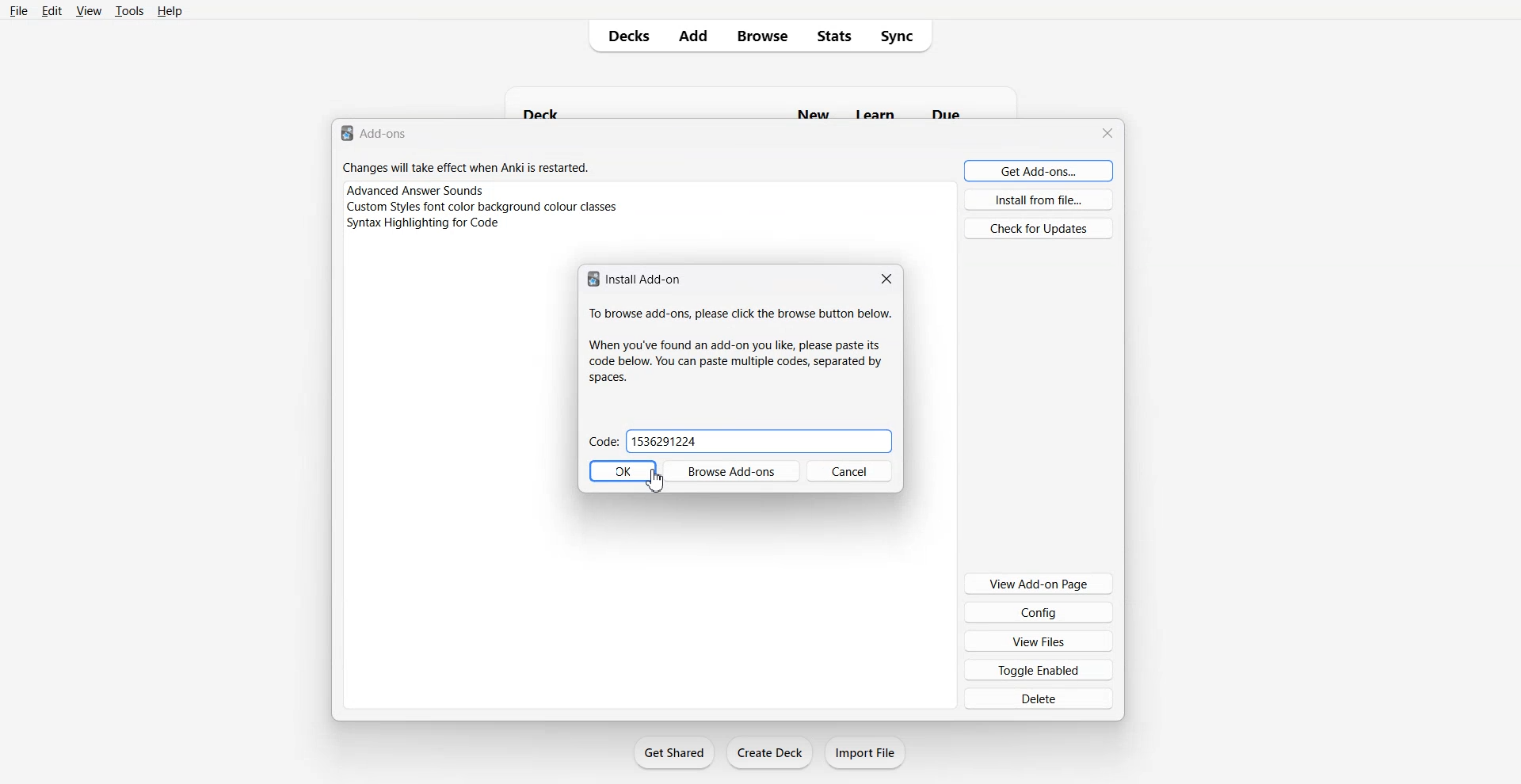  Describe the element at coordinates (388, 135) in the screenshot. I see `add-ons` at that location.